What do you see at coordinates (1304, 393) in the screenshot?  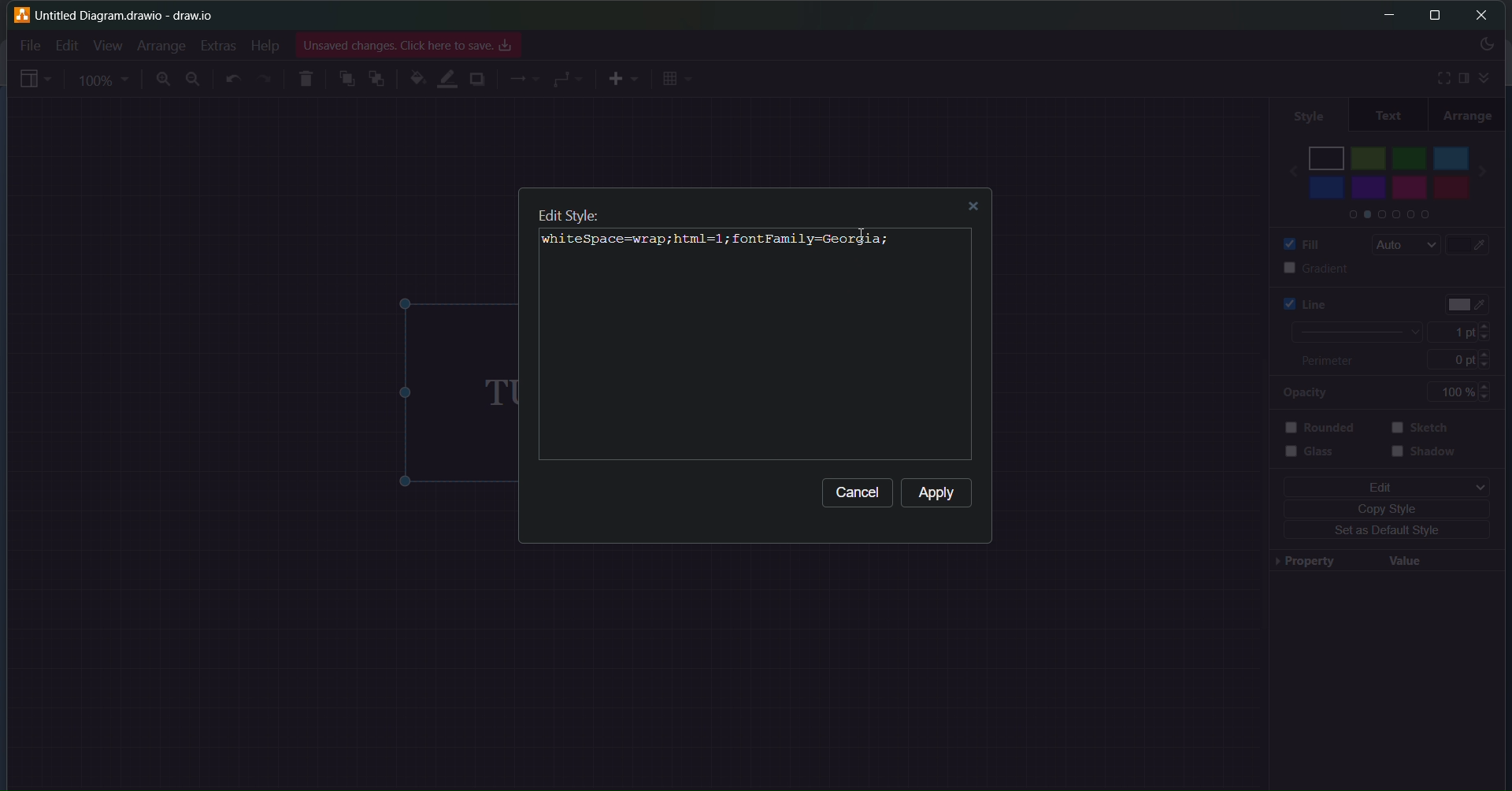 I see `opacity` at bounding box center [1304, 393].